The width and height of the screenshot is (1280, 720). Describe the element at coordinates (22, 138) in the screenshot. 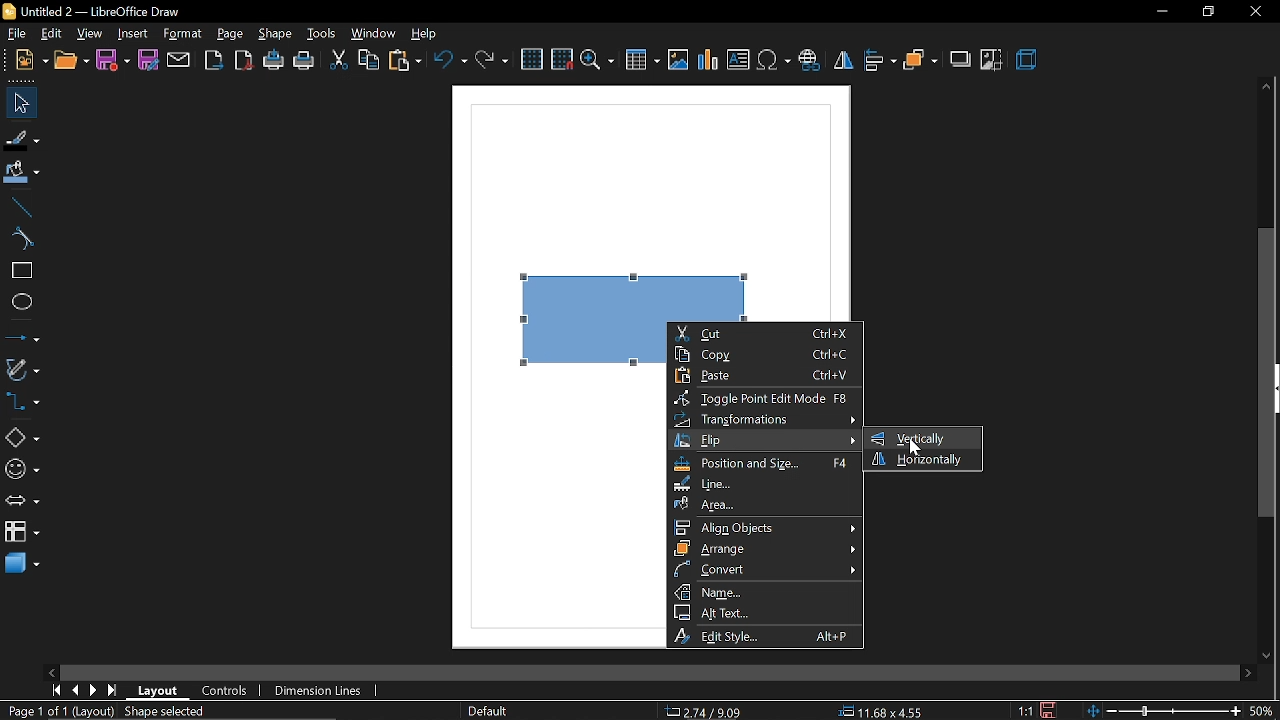

I see `fill line` at that location.